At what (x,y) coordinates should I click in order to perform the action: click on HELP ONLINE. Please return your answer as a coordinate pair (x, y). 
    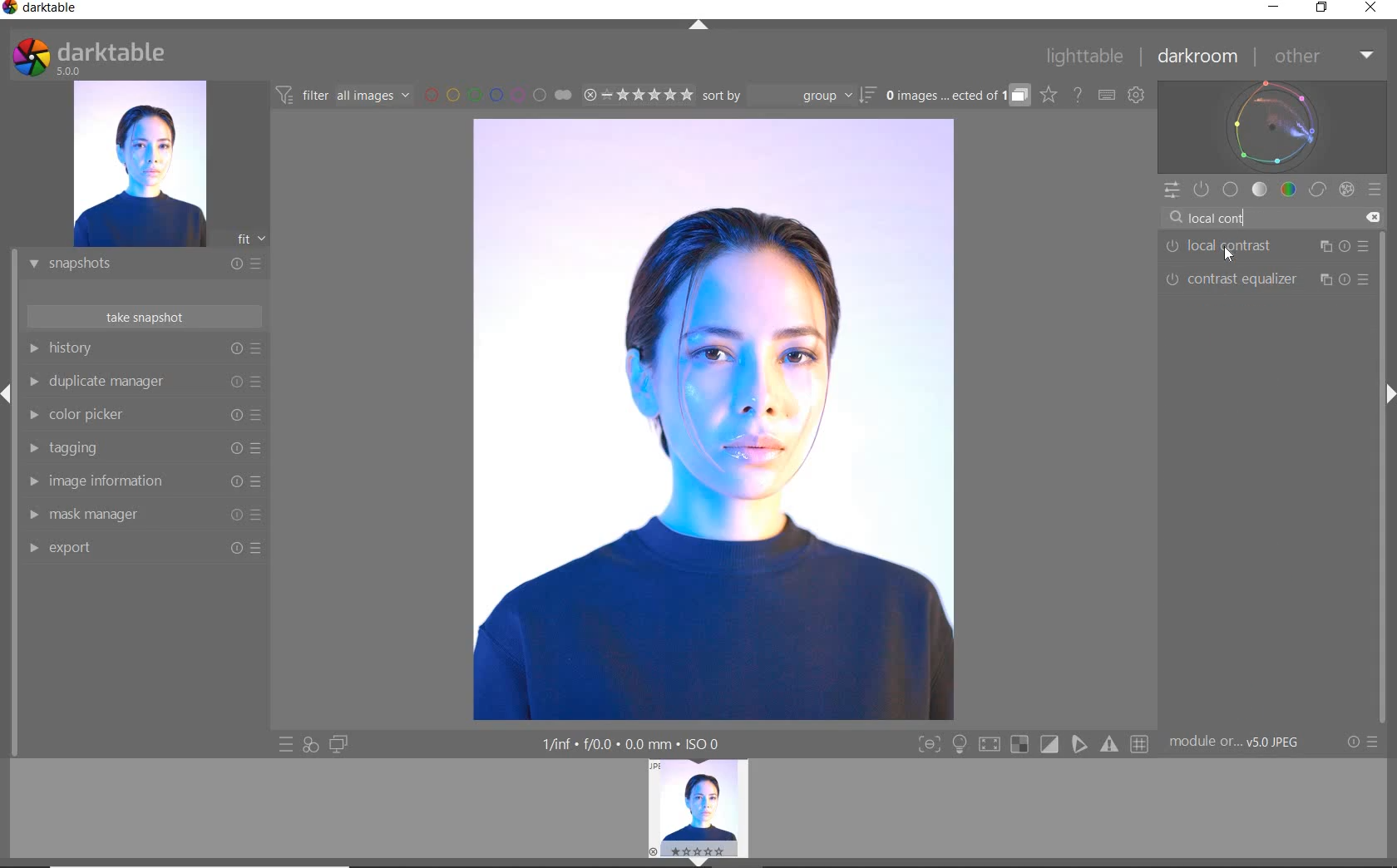
    Looking at the image, I should click on (1078, 94).